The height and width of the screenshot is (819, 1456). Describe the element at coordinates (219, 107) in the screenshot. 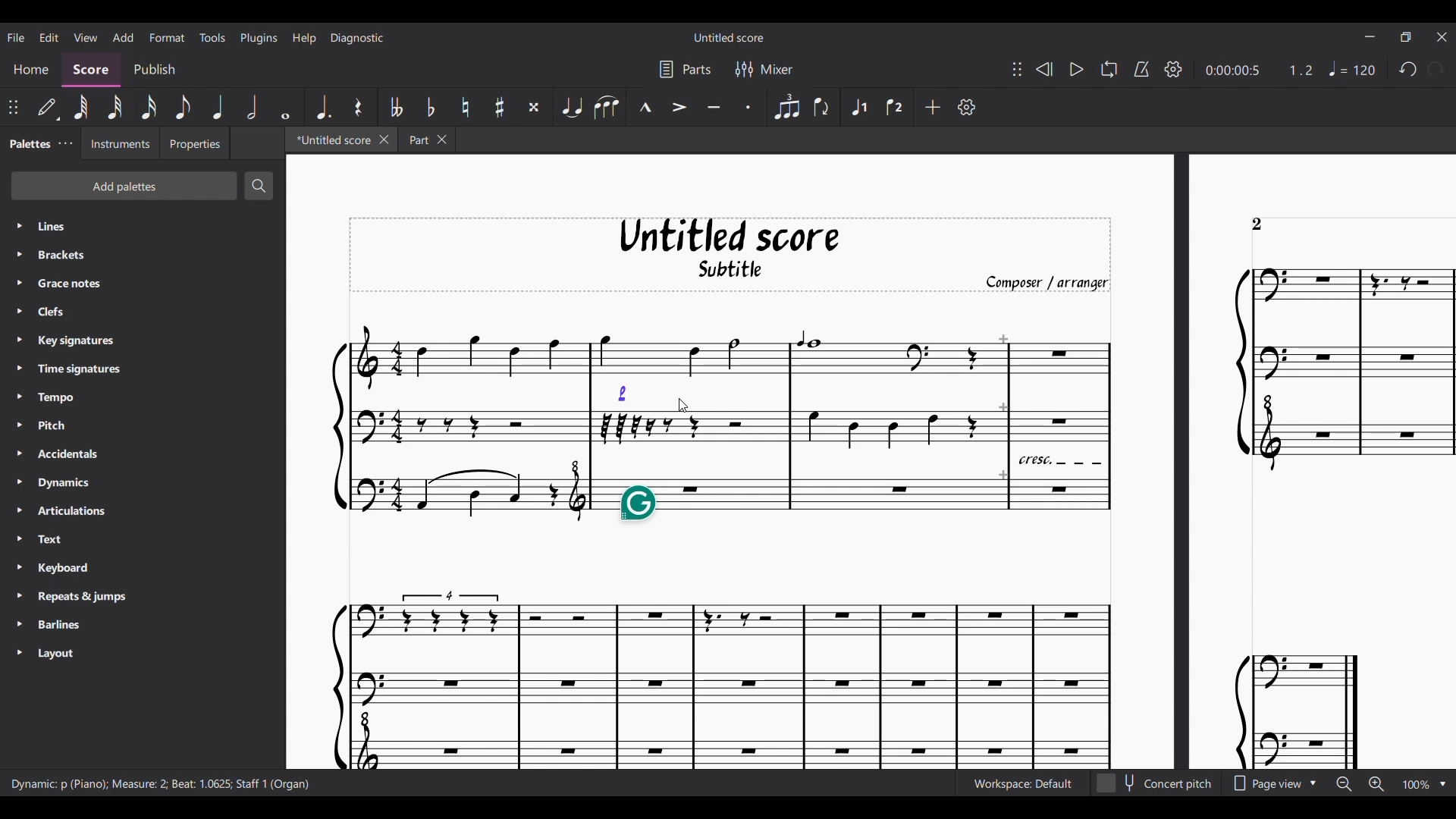

I see `Quarter note` at that location.